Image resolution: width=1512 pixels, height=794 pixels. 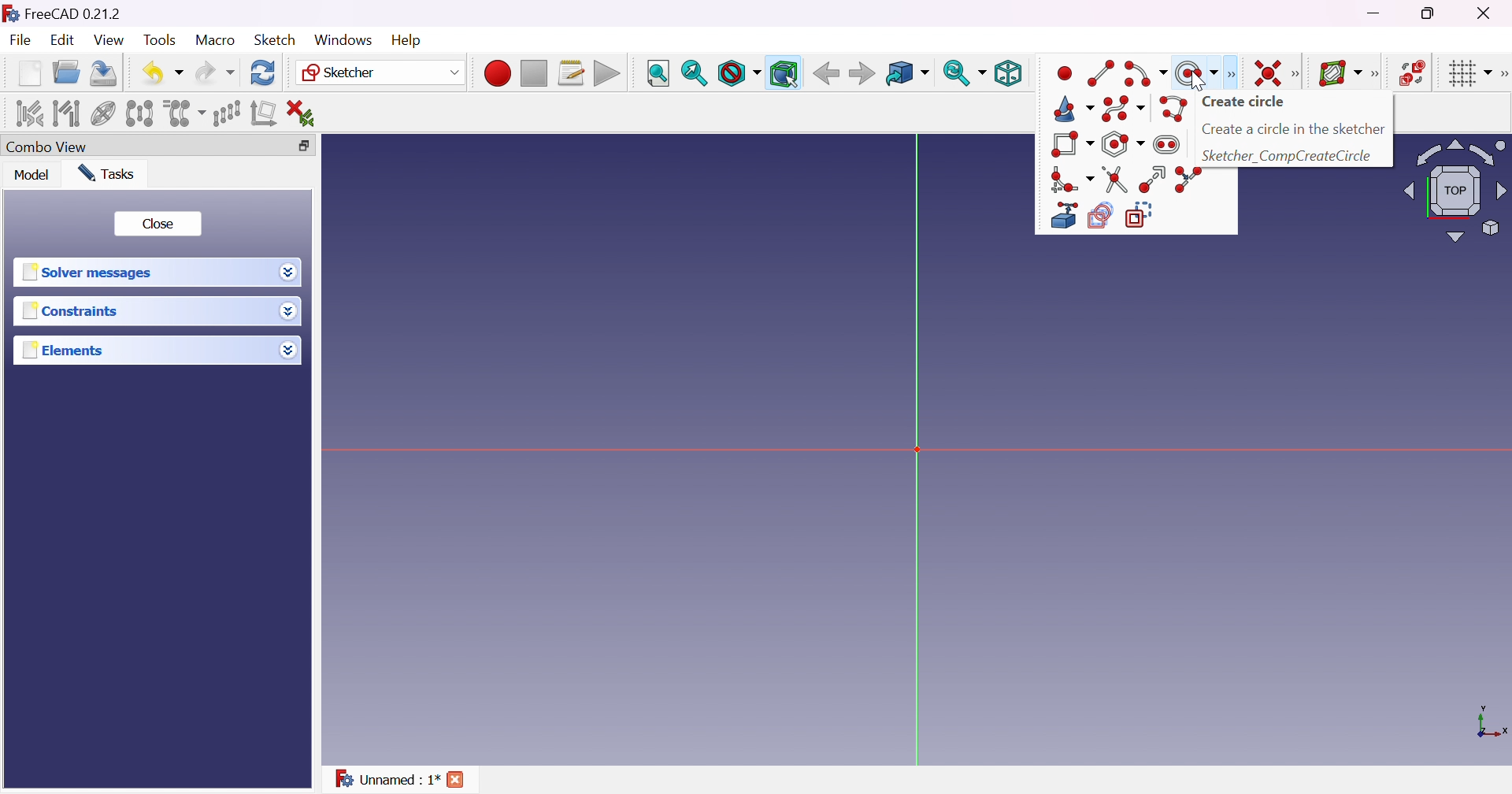 I want to click on Rectangular array, so click(x=225, y=113).